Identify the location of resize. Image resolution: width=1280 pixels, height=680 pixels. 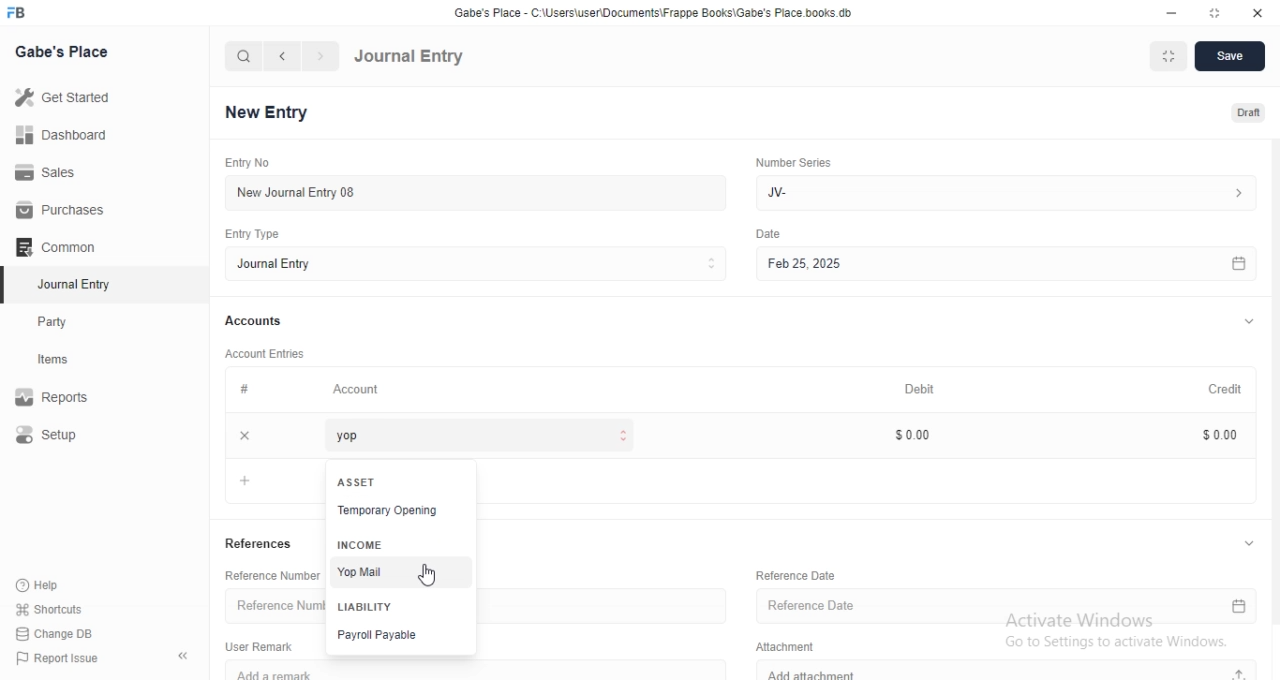
(1211, 12).